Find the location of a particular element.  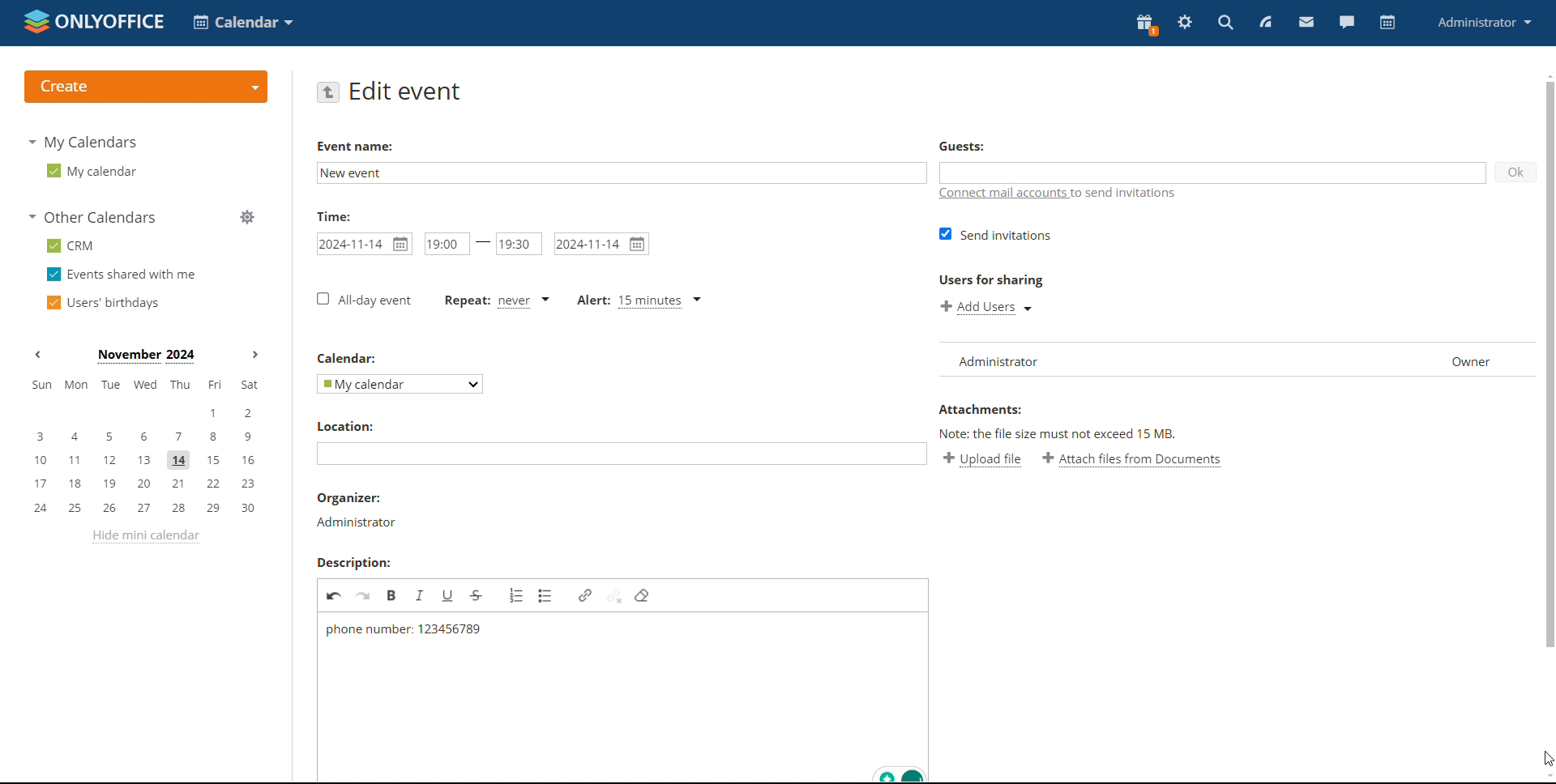

list of users is located at coordinates (1235, 359).